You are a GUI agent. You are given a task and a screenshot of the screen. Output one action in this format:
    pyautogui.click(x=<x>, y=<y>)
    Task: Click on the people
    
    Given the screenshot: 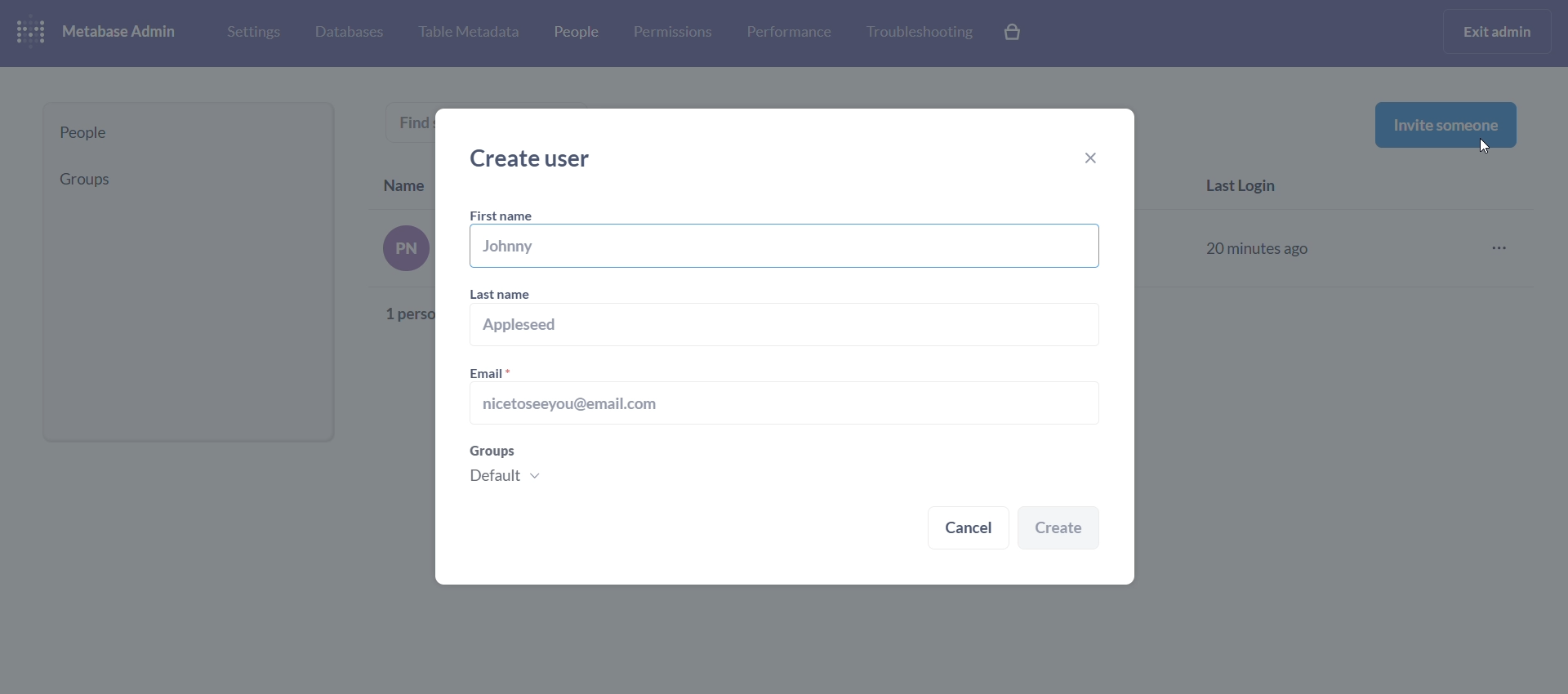 What is the action you would take?
    pyautogui.click(x=574, y=35)
    